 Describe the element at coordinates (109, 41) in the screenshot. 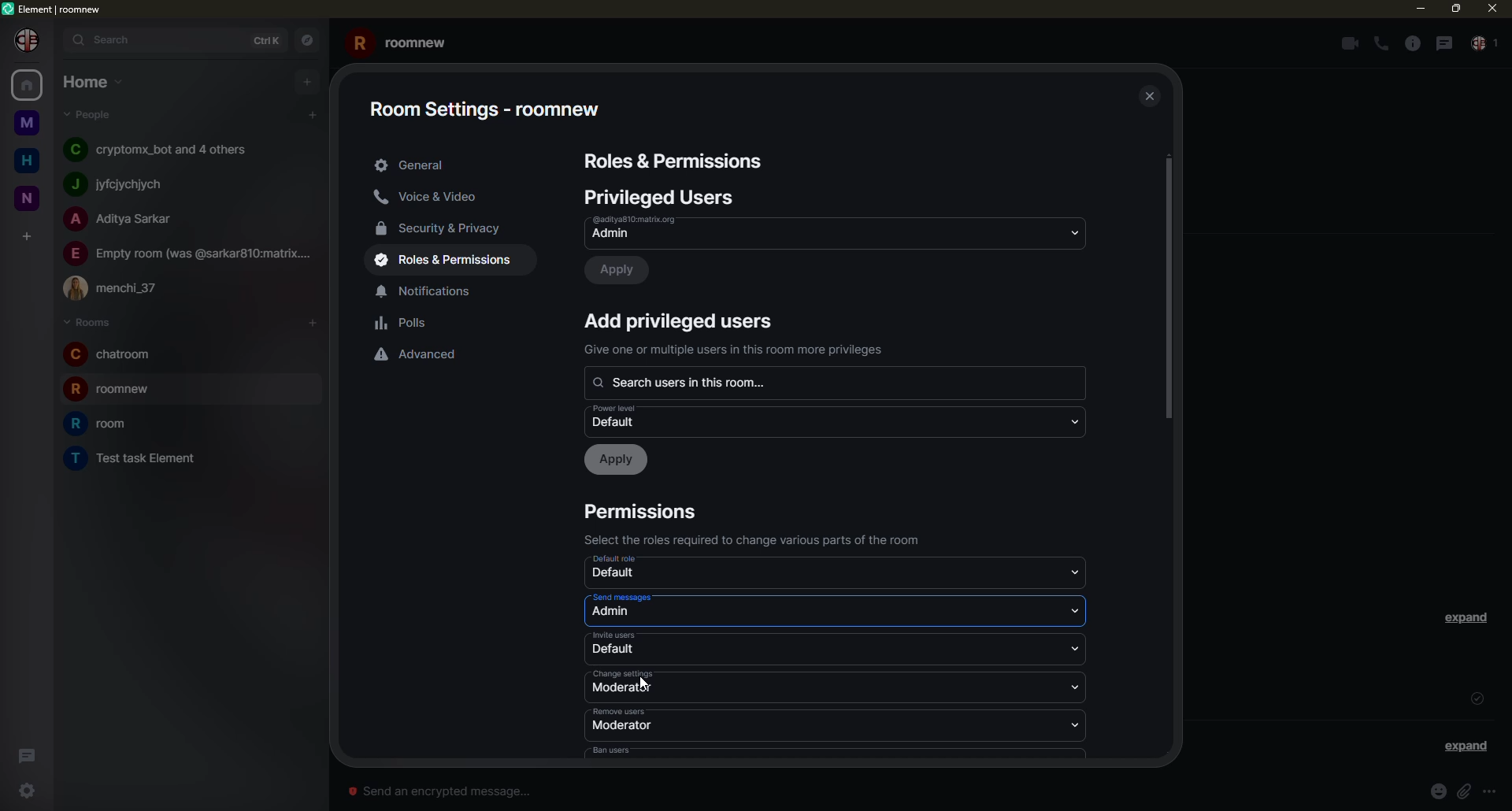

I see `search` at that location.